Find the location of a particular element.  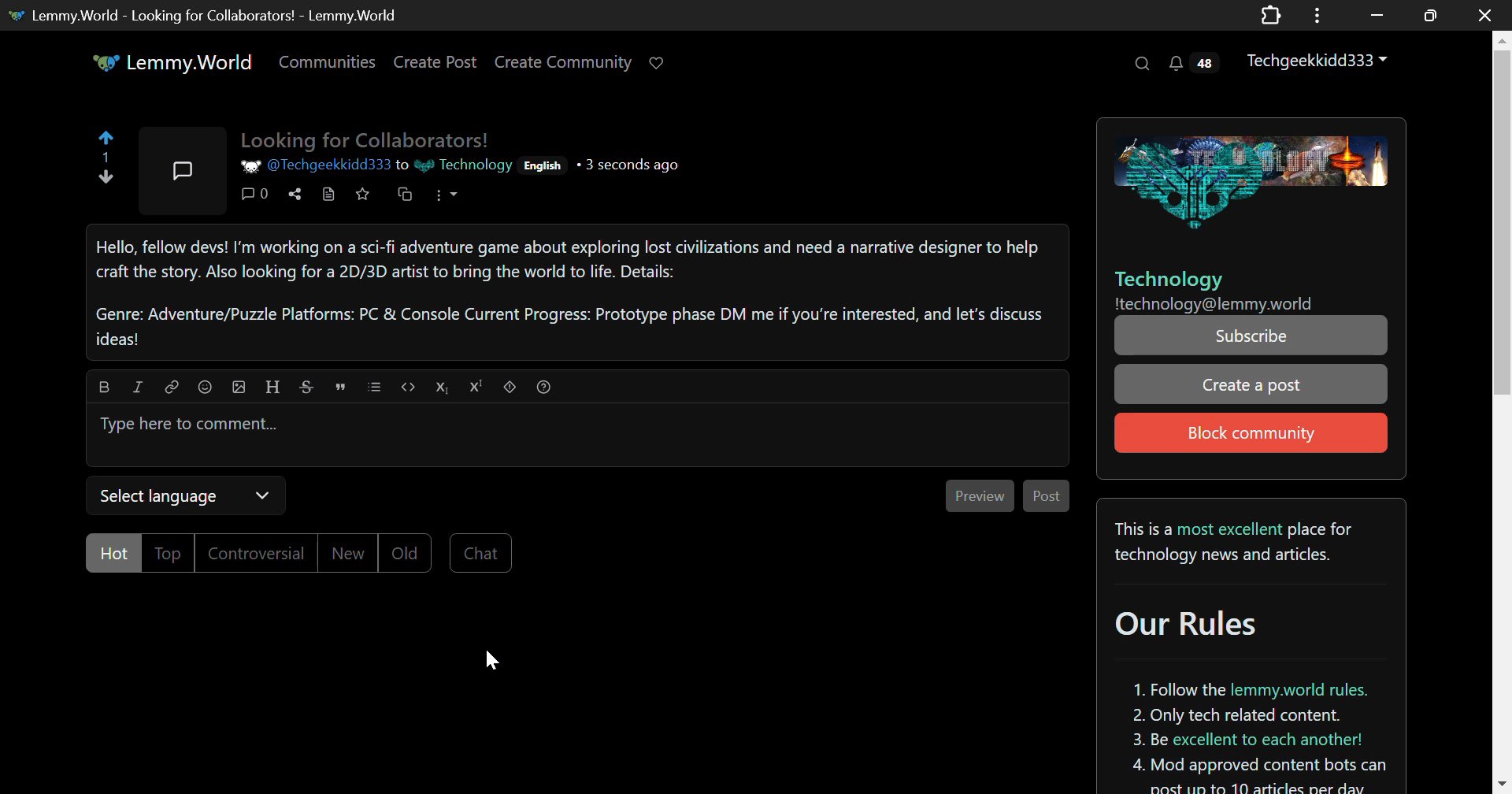

bold is located at coordinates (102, 385).